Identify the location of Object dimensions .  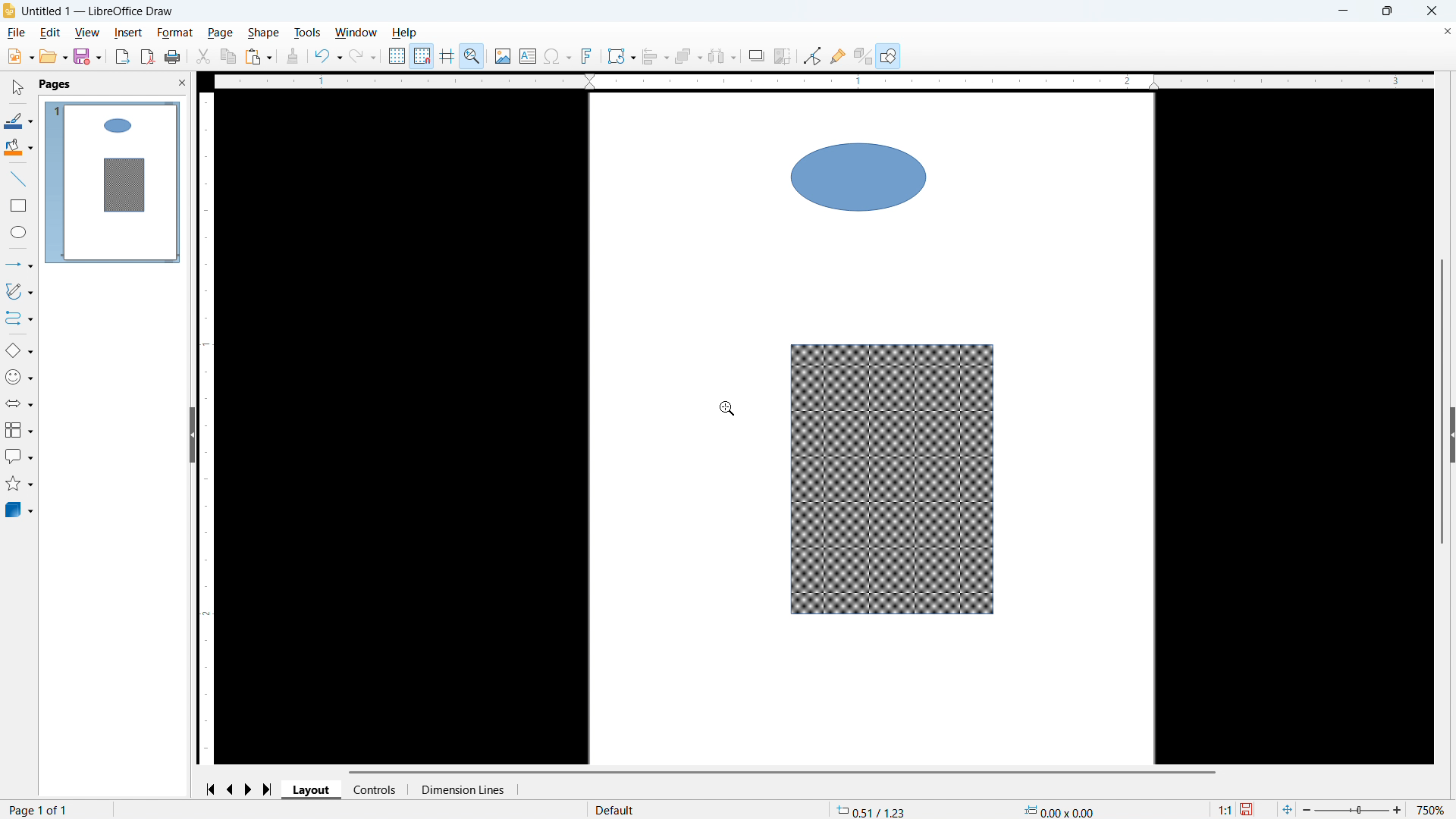
(1059, 810).